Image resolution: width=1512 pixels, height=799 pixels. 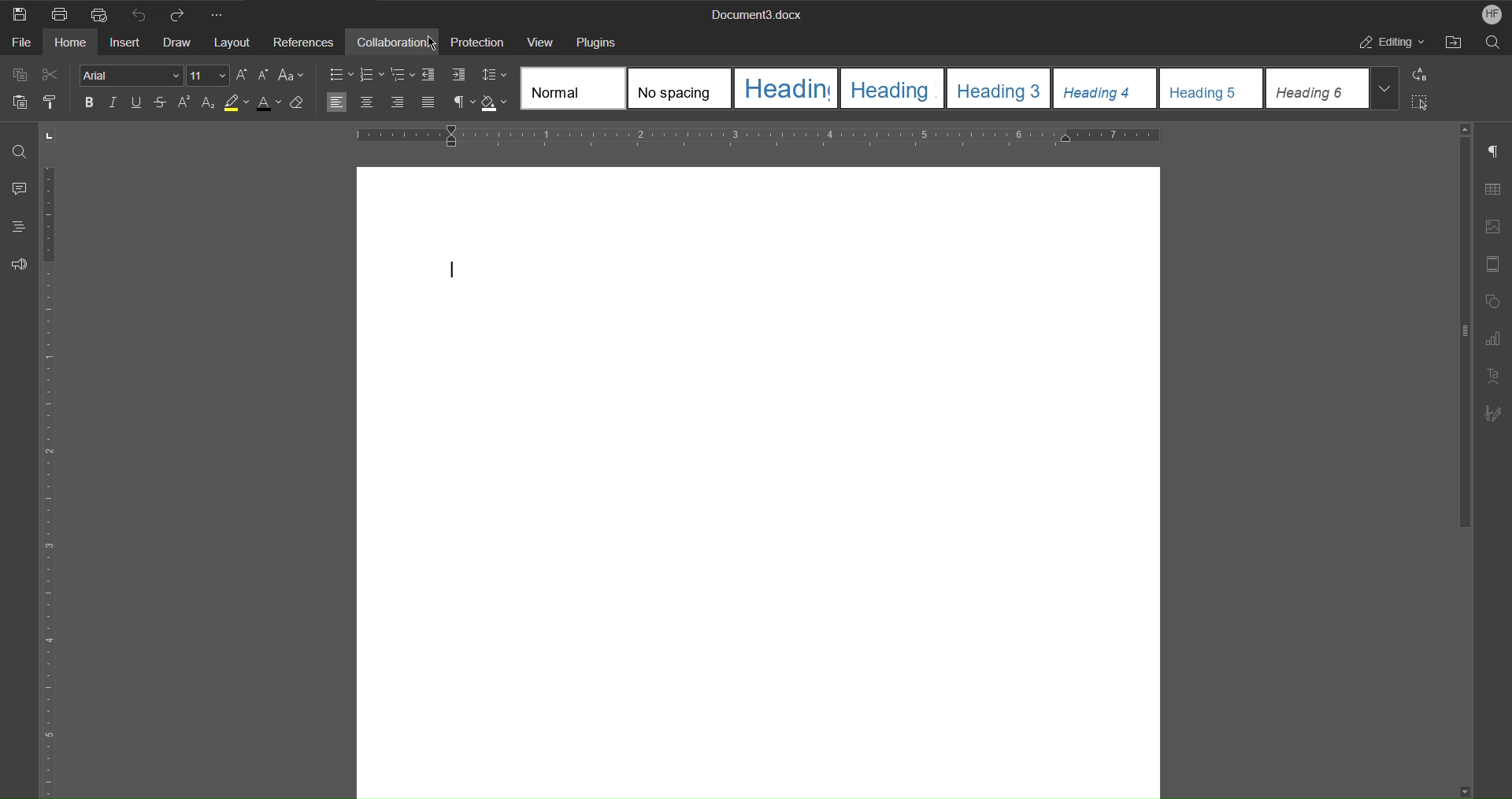 What do you see at coordinates (788, 88) in the screenshot?
I see `Heading 1` at bounding box center [788, 88].